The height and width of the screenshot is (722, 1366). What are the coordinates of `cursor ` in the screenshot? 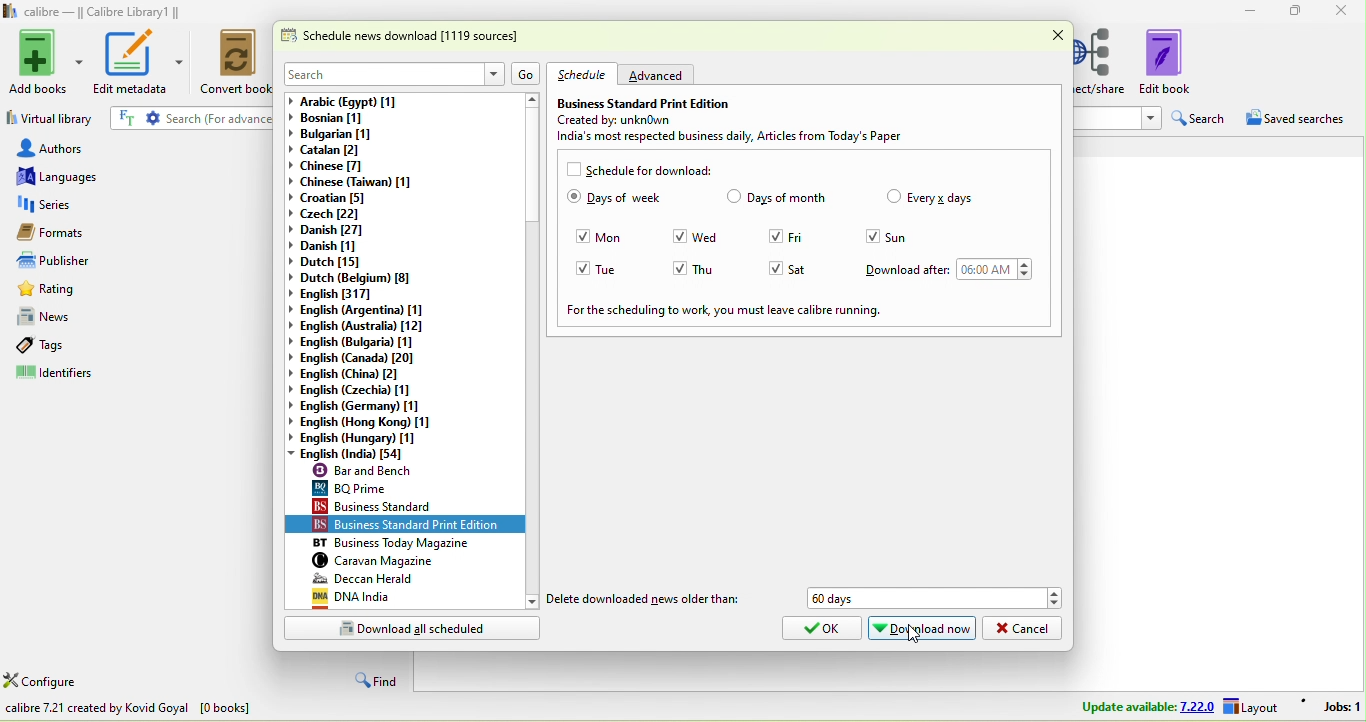 It's located at (917, 641).